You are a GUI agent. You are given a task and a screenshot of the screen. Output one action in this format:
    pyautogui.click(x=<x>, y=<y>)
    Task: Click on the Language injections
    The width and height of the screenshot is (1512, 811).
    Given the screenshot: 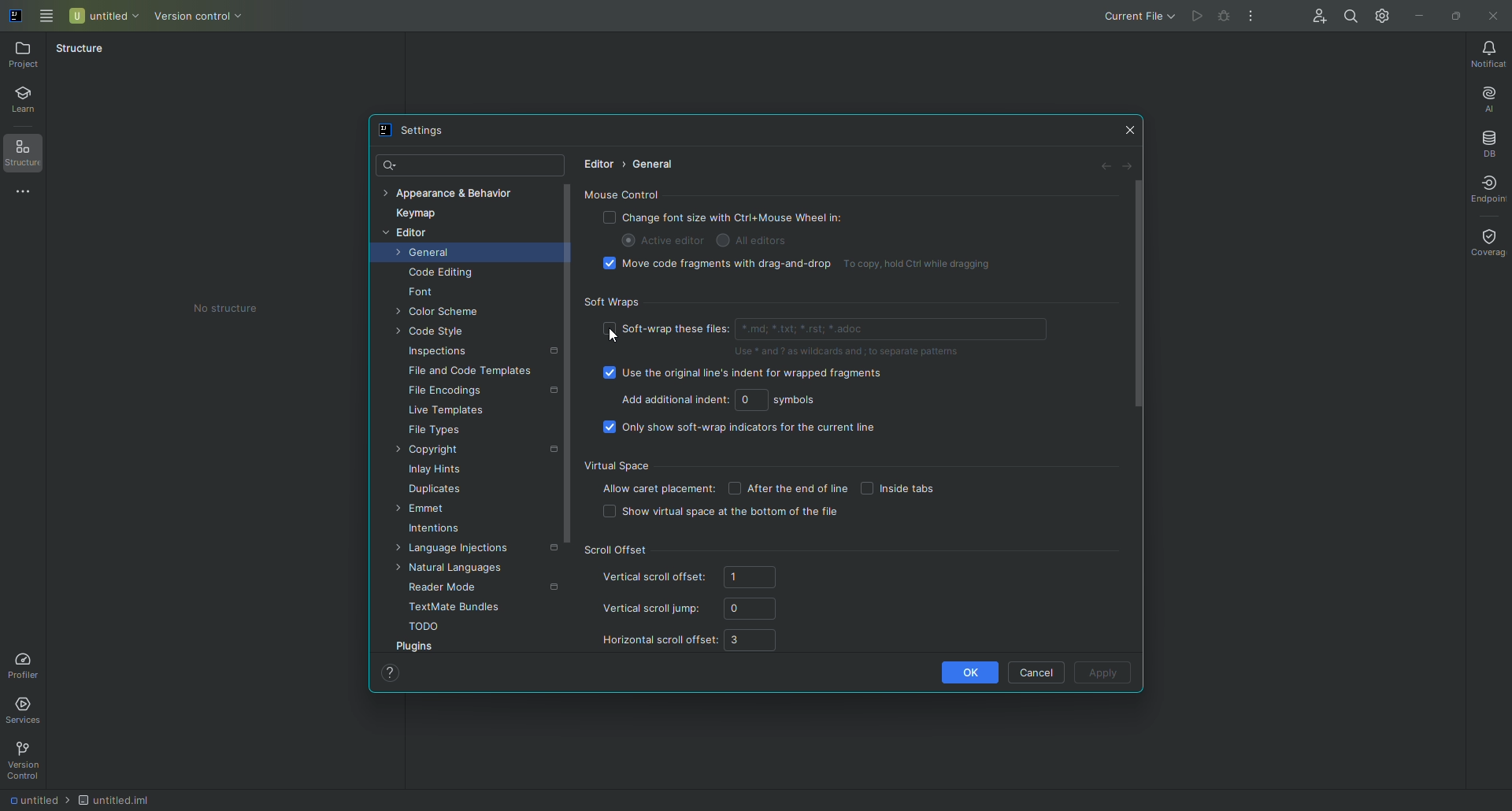 What is the action you would take?
    pyautogui.click(x=450, y=548)
    